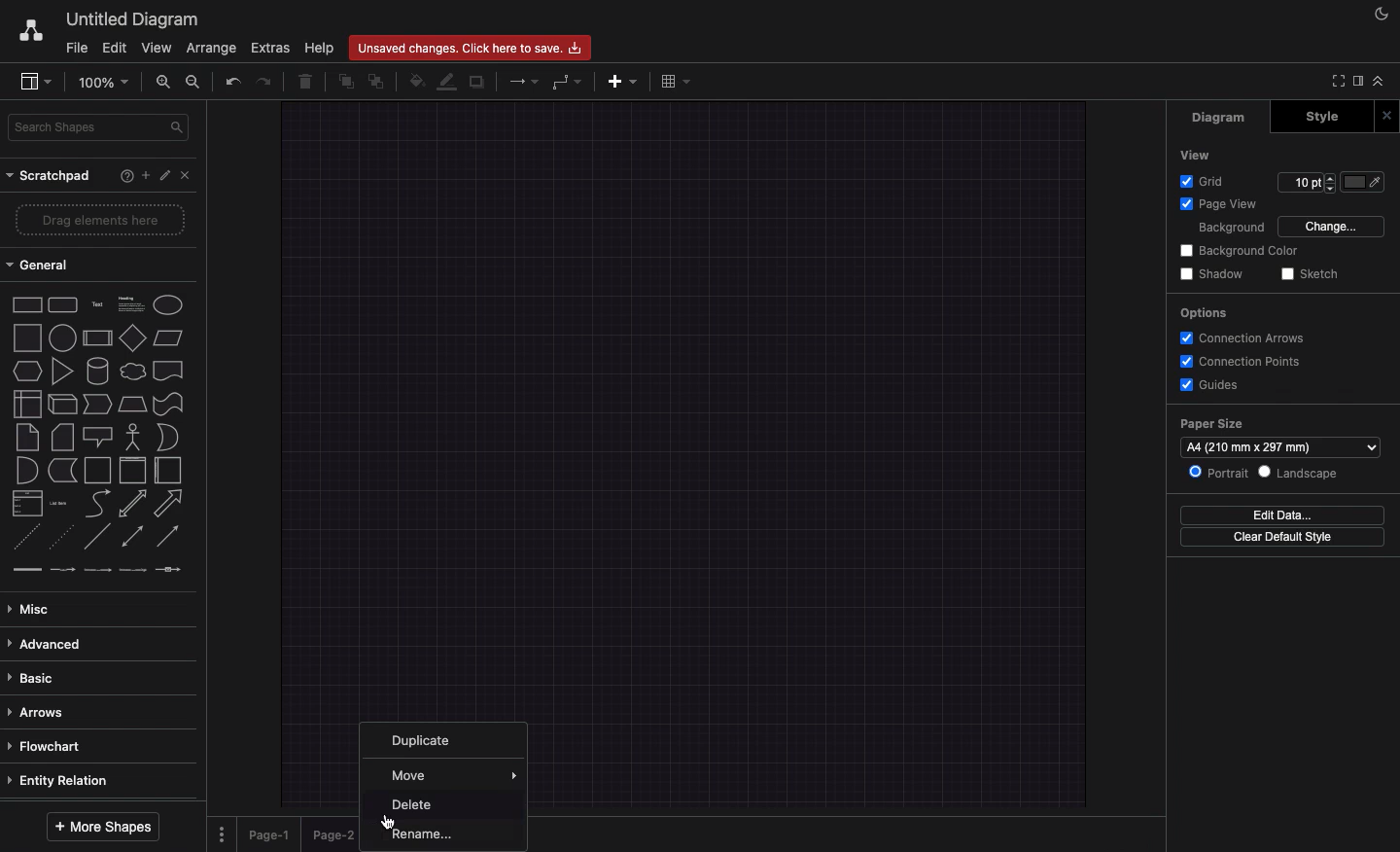 This screenshot has height=852, width=1400. What do you see at coordinates (425, 834) in the screenshot?
I see `Rename` at bounding box center [425, 834].